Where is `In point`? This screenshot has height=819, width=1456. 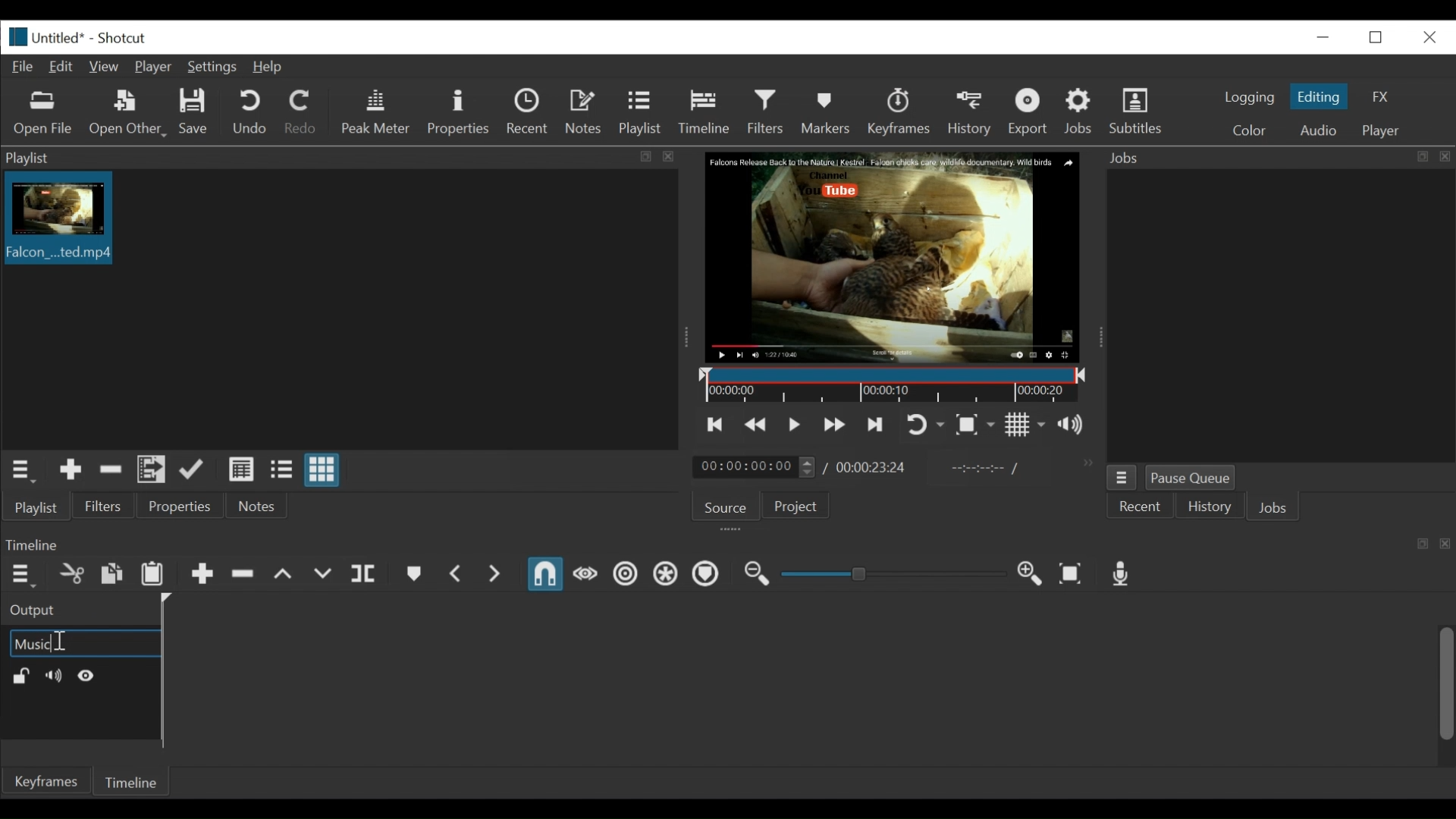 In point is located at coordinates (985, 470).